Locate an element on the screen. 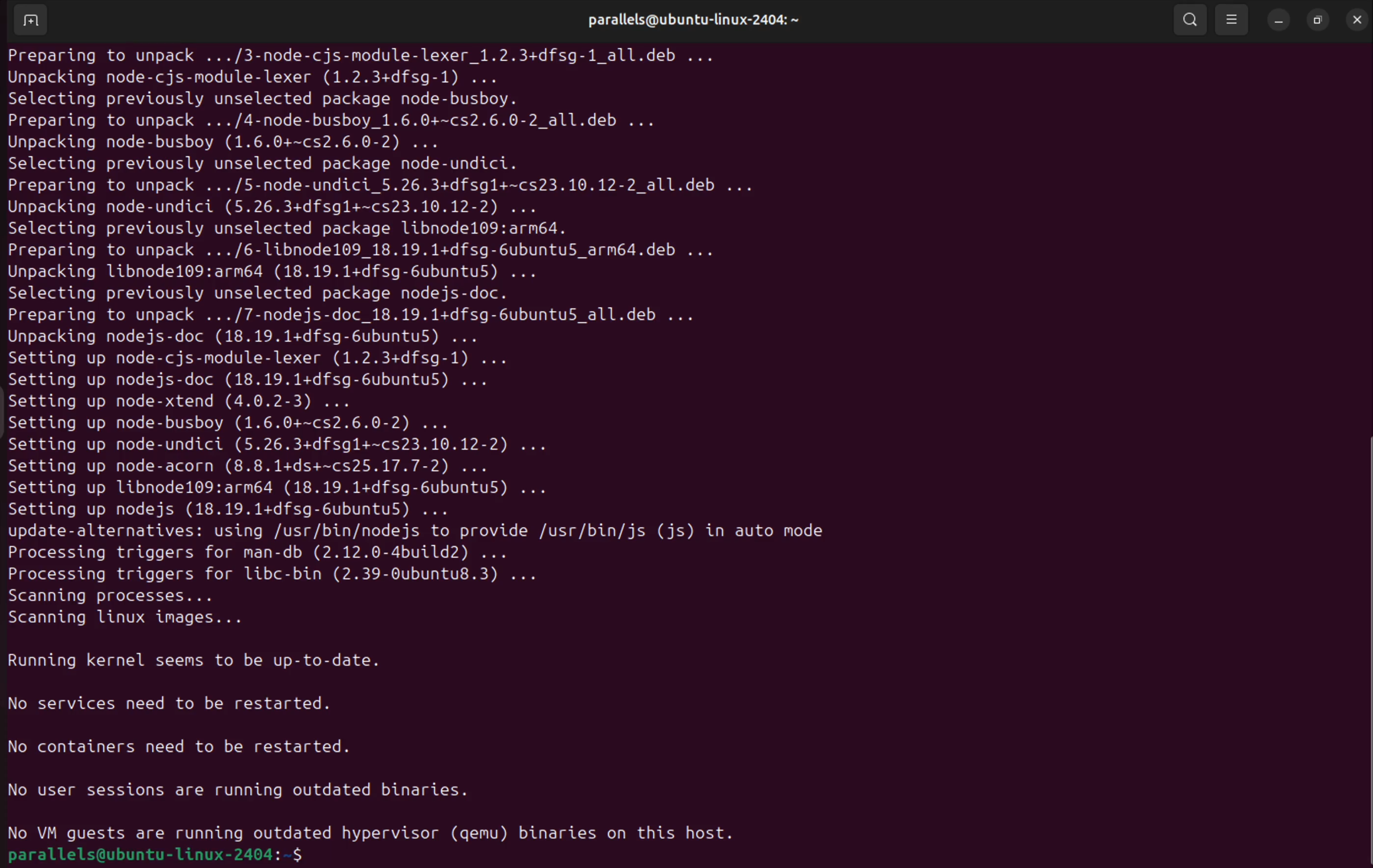  No user sessions are running outdated binaries. is located at coordinates (236, 789).